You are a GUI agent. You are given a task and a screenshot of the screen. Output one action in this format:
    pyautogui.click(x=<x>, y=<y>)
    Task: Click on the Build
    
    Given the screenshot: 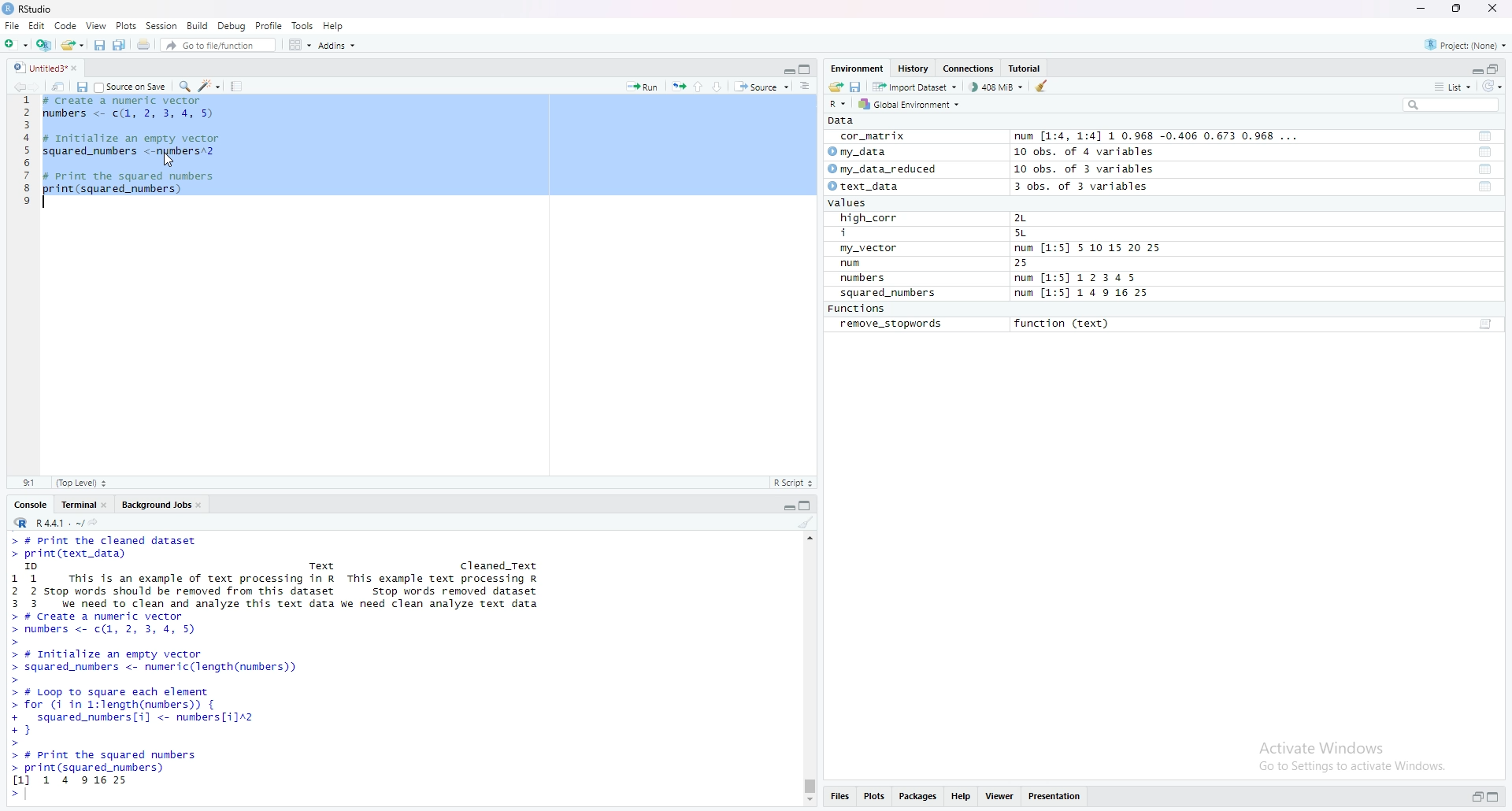 What is the action you would take?
    pyautogui.click(x=198, y=25)
    